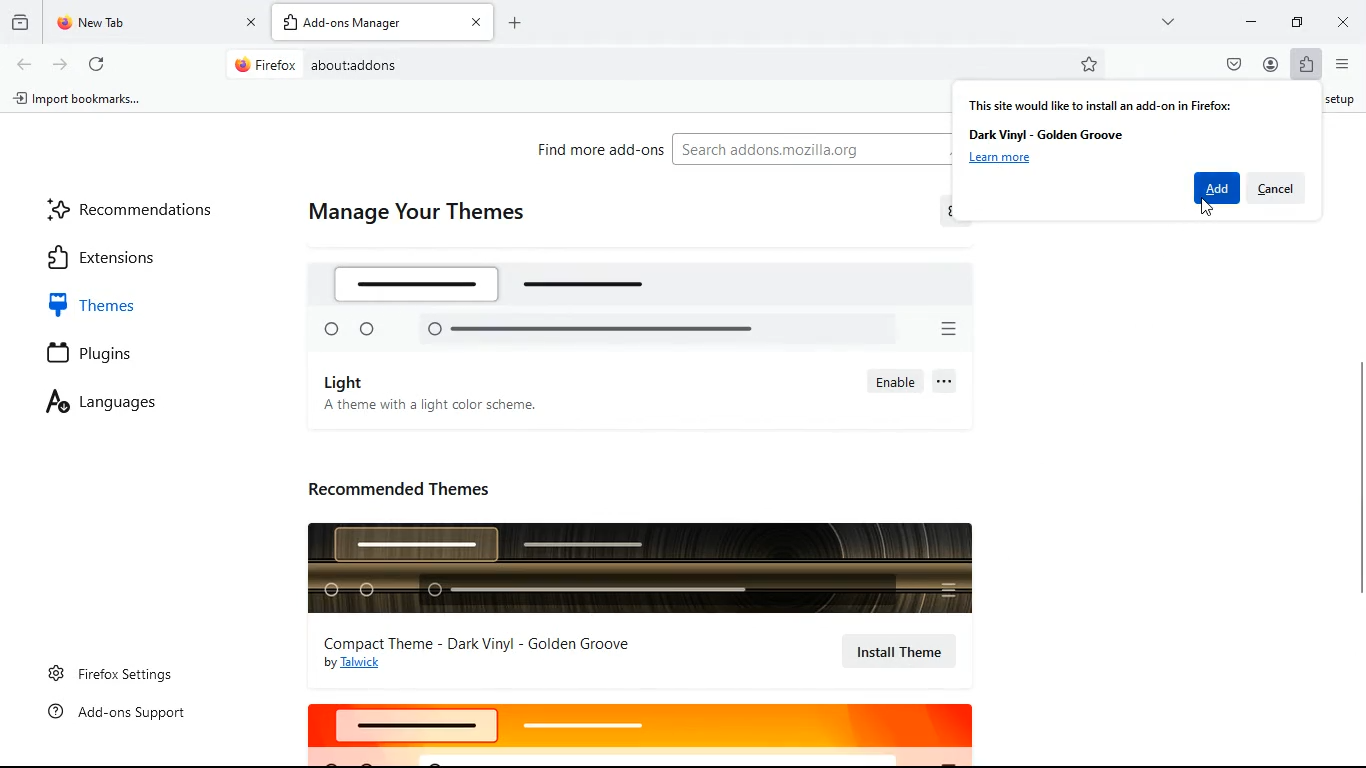 Image resolution: width=1366 pixels, height=768 pixels. Describe the element at coordinates (934, 669) in the screenshot. I see `Cursor` at that location.